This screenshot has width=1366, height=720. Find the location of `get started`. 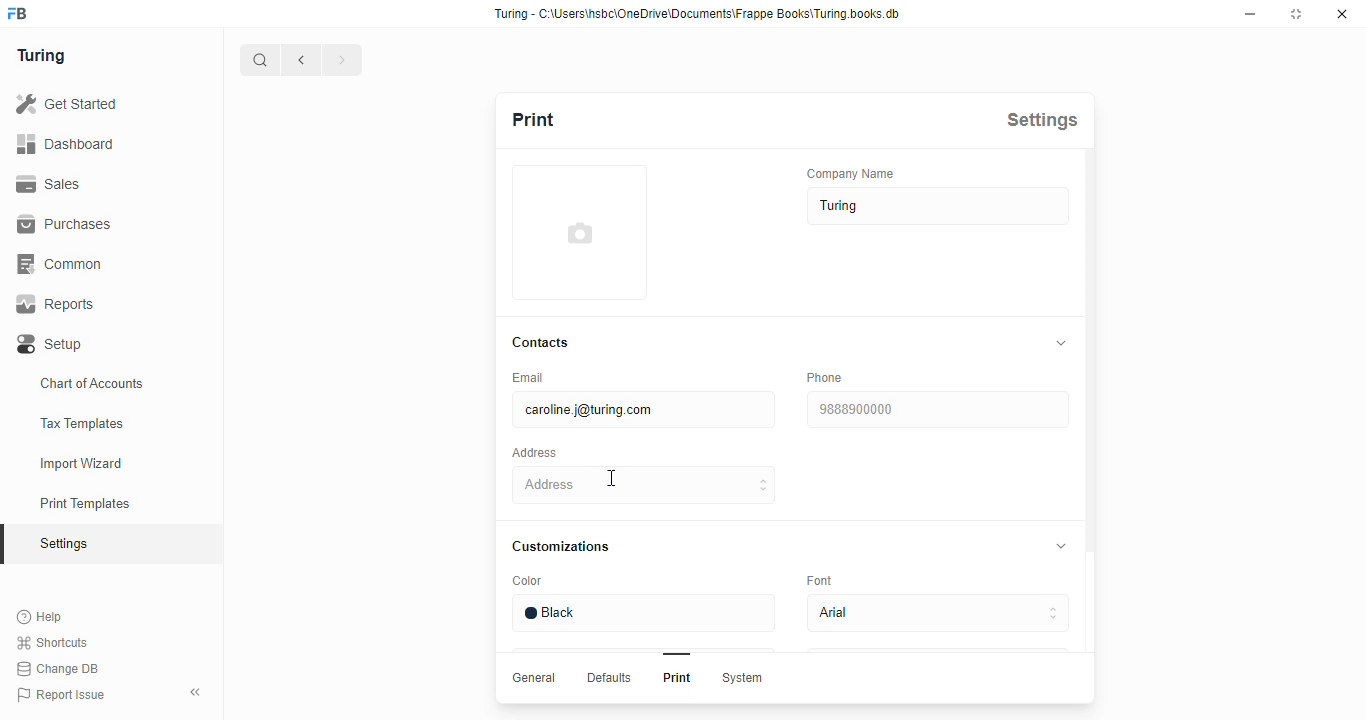

get started is located at coordinates (66, 104).